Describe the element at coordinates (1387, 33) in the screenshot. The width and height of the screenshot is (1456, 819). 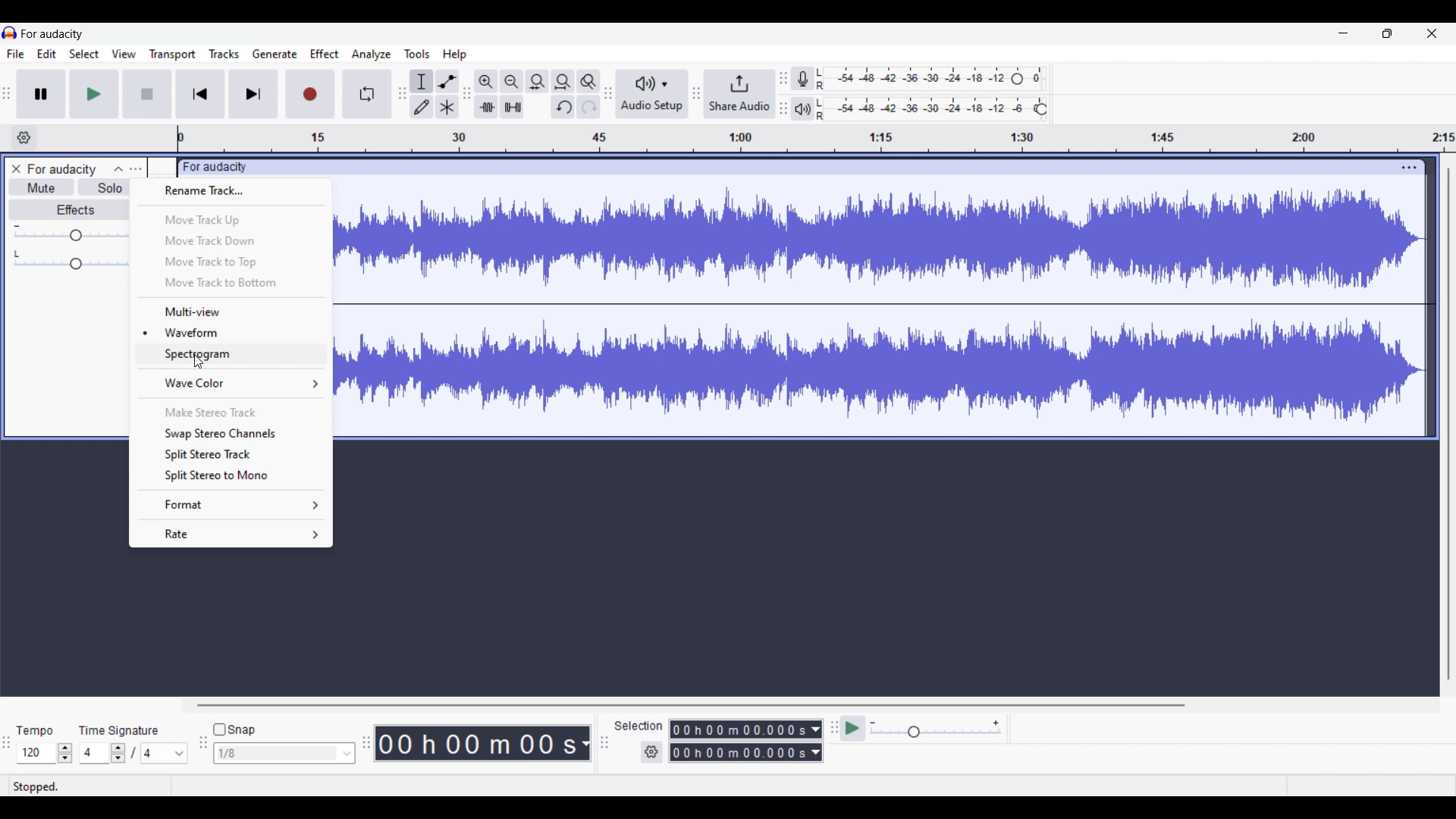
I see `Show in smaller tab` at that location.